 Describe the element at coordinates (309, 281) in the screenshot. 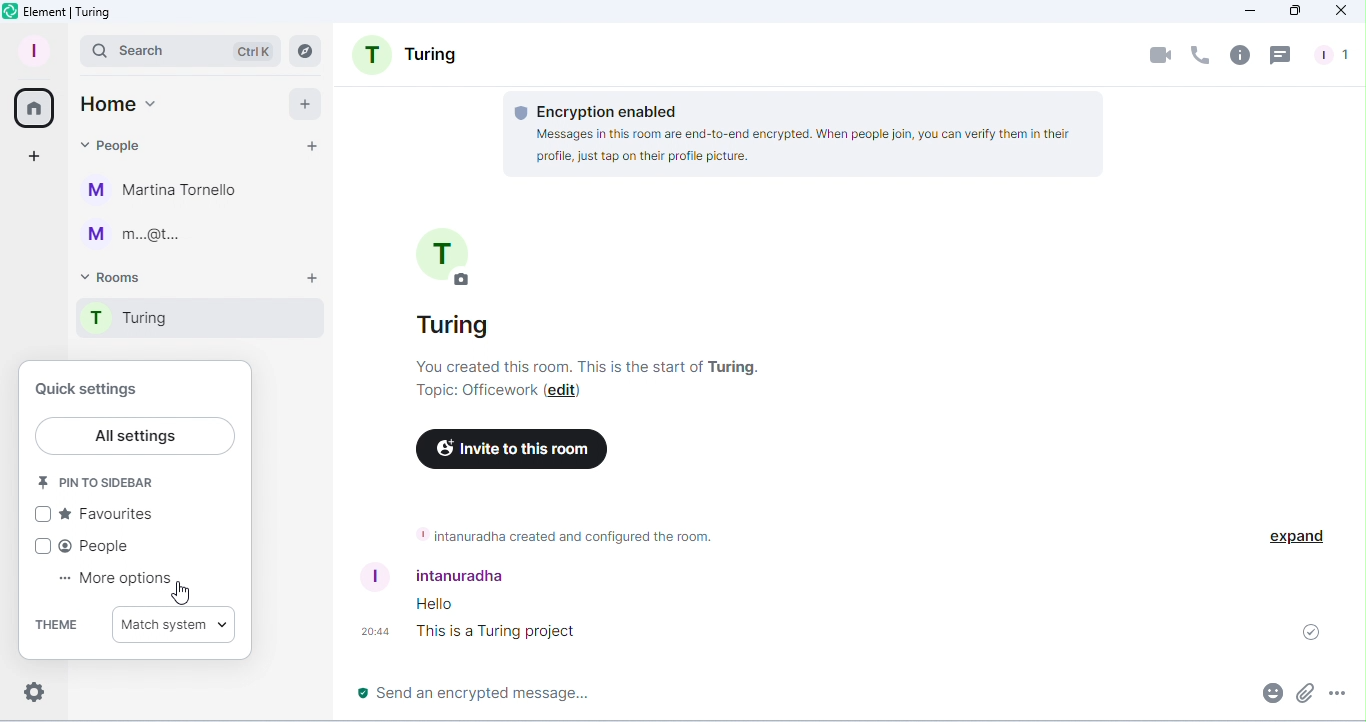

I see `Add room` at that location.